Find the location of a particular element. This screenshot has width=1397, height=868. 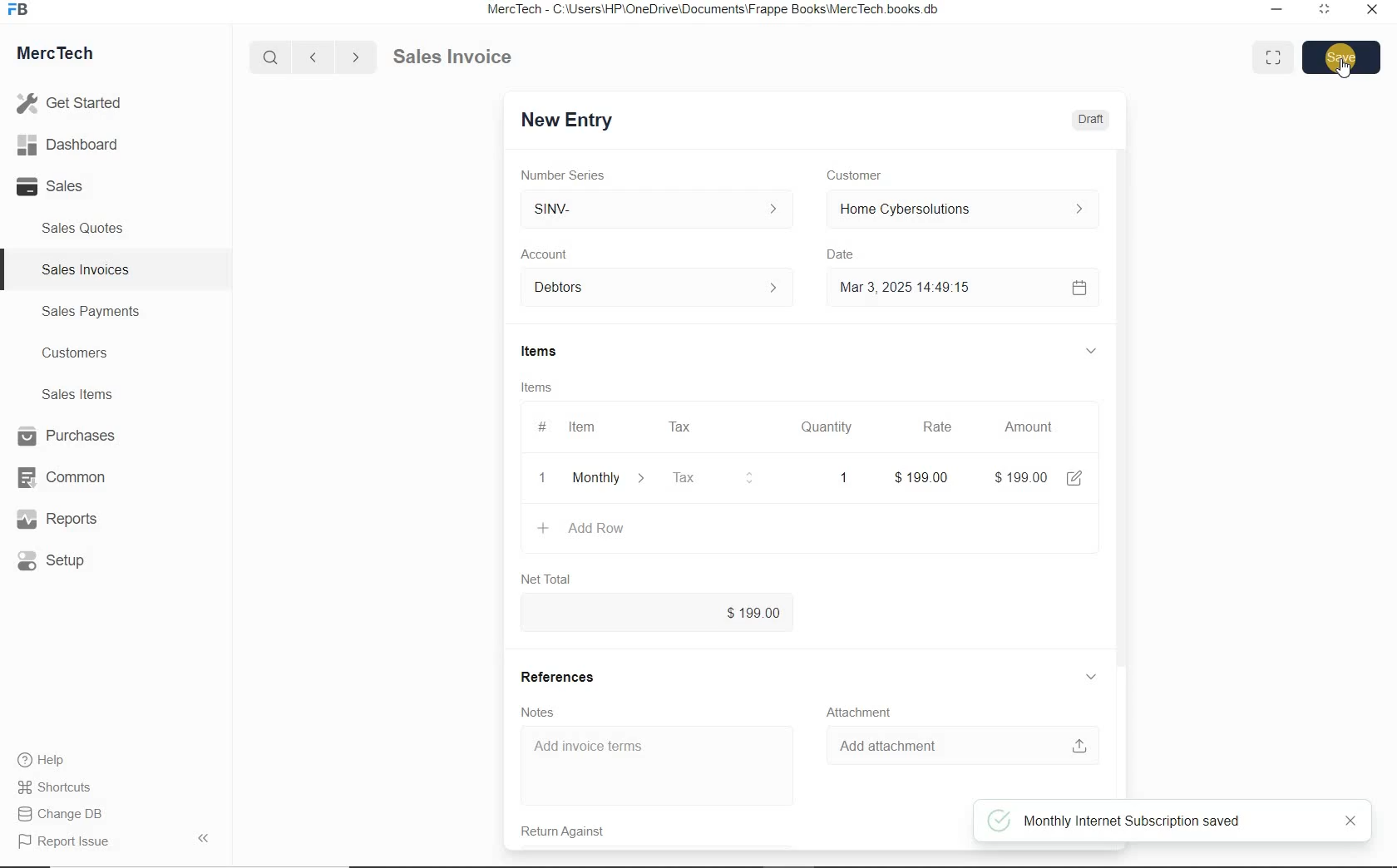

+ Add Row is located at coordinates (591, 478).